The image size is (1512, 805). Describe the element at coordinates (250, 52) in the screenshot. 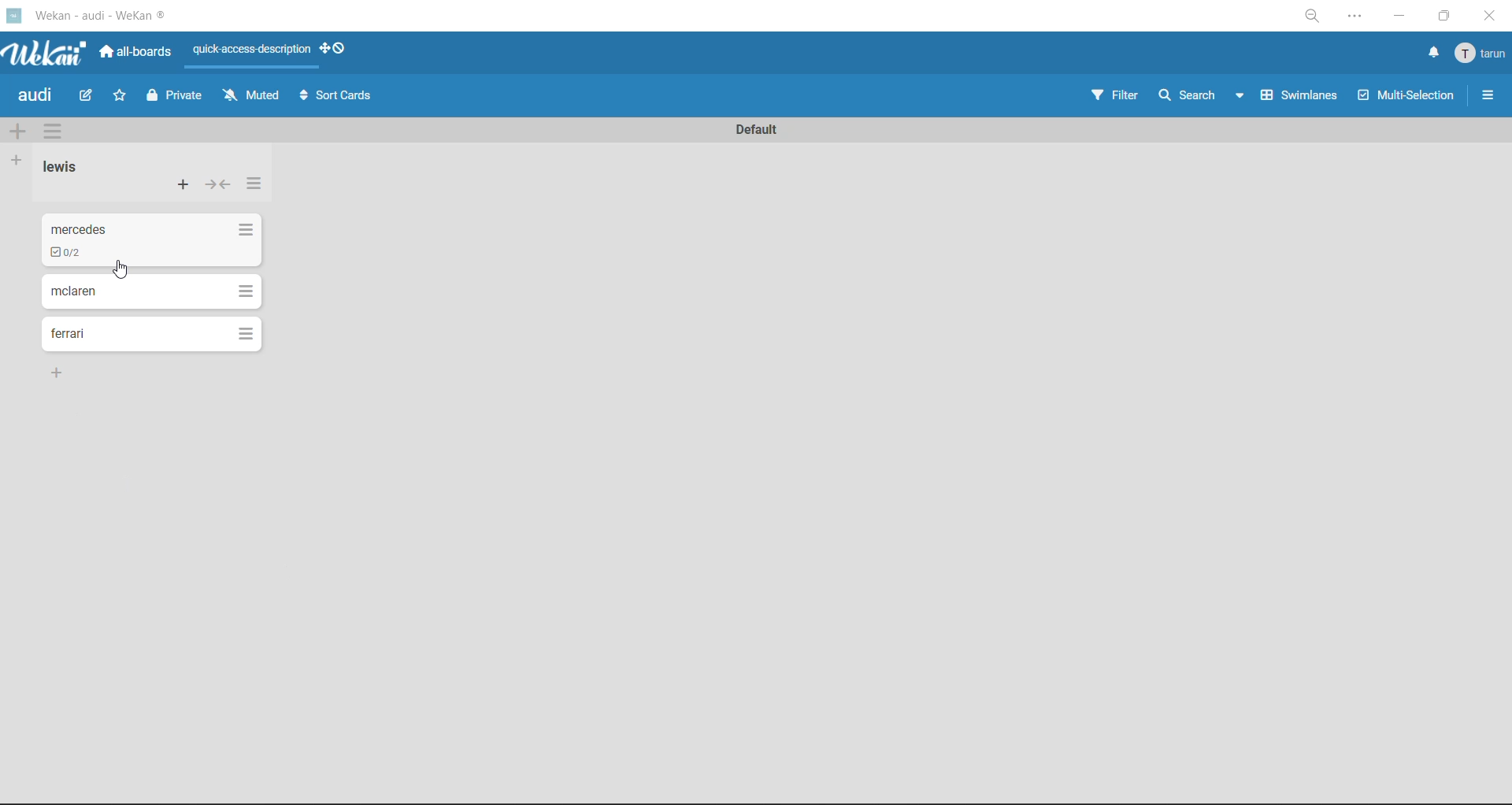

I see `quick access description` at that location.